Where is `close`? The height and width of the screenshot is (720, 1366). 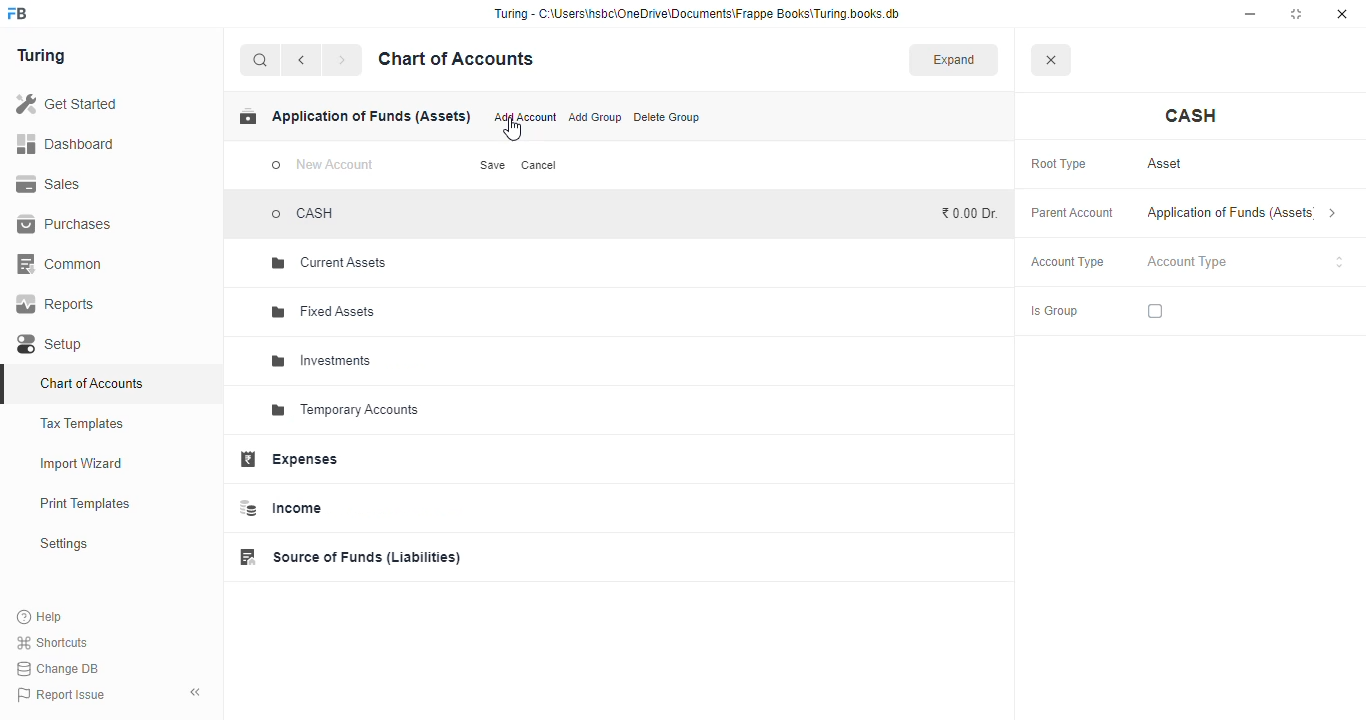 close is located at coordinates (1342, 14).